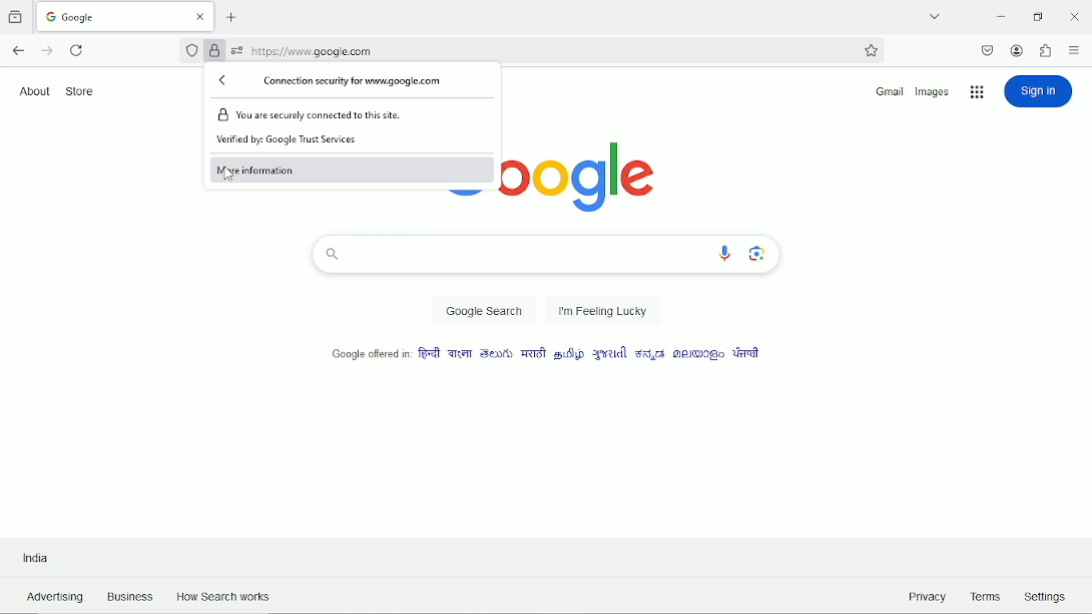 This screenshot has height=614, width=1092. I want to click on language, so click(608, 355).